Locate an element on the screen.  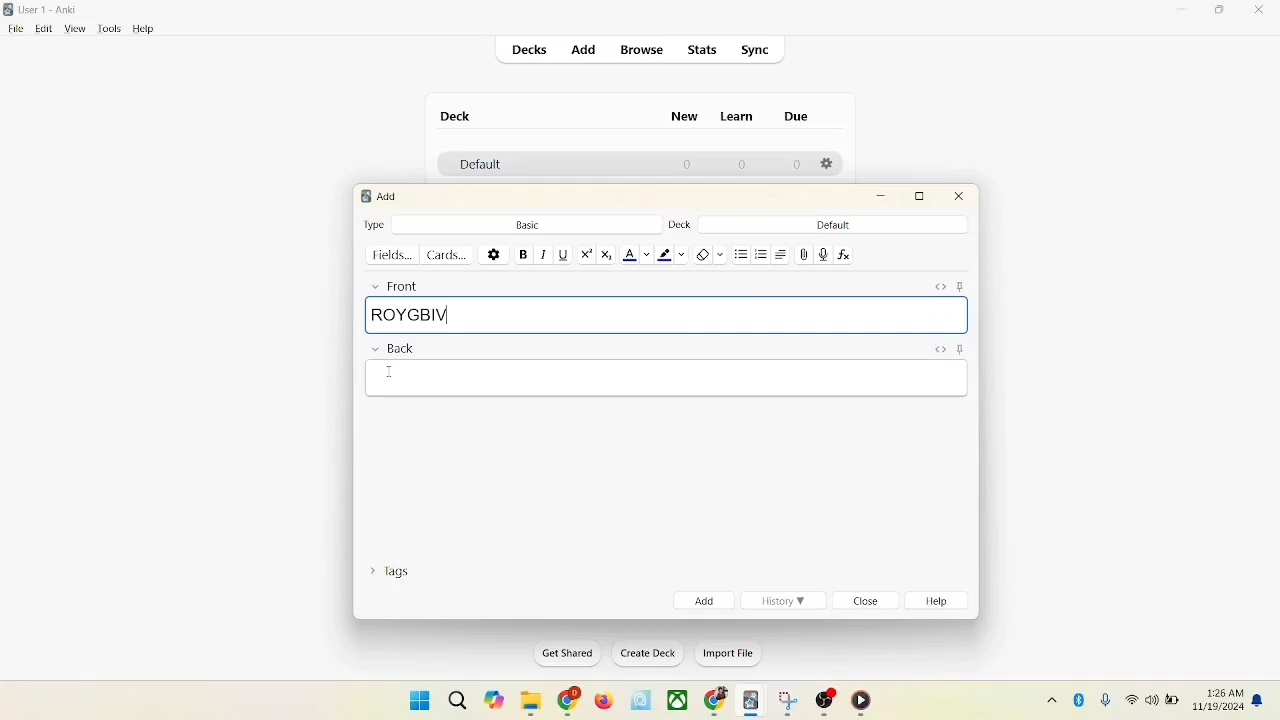
window is located at coordinates (412, 699).